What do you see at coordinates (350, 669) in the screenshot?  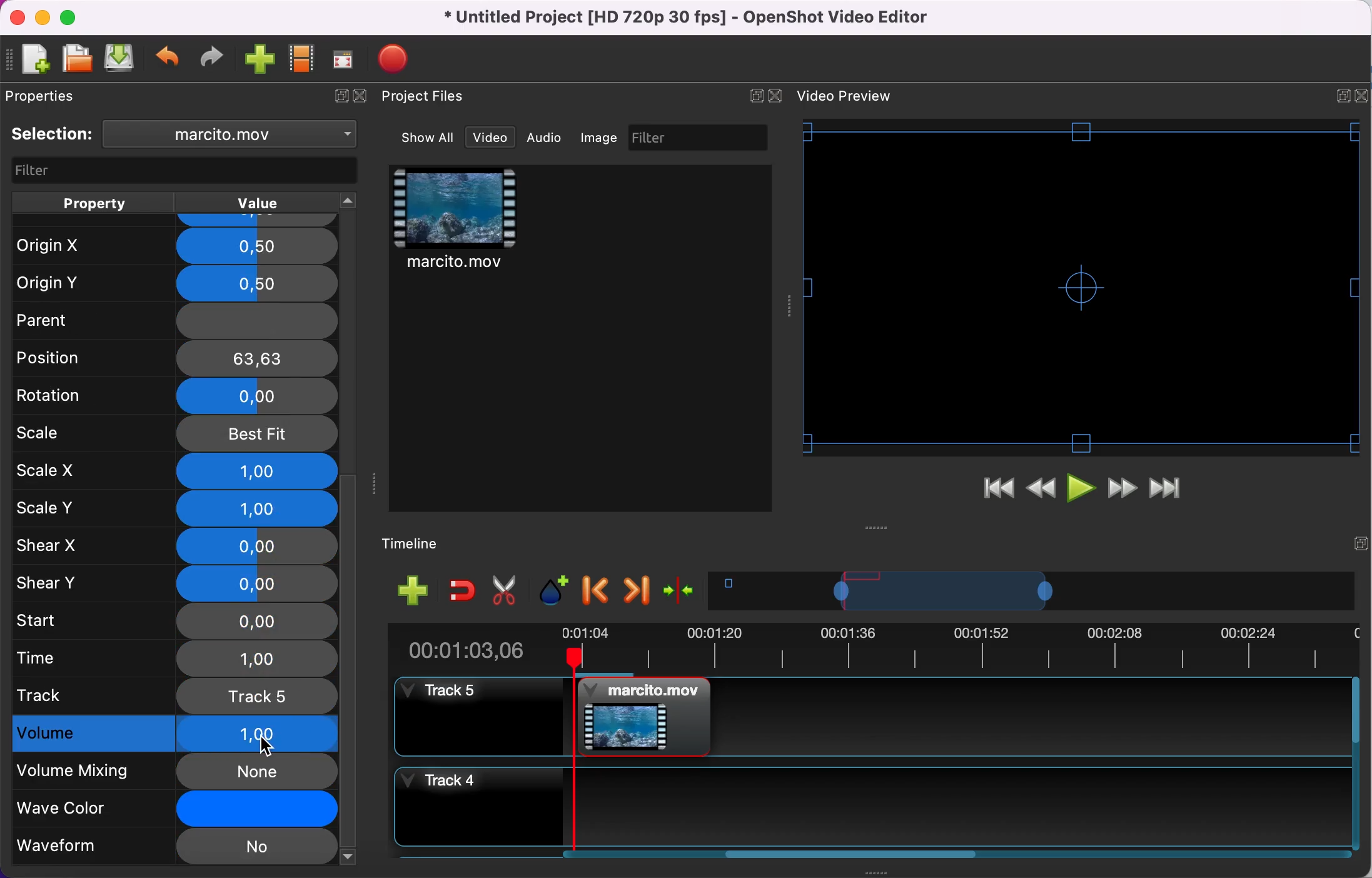 I see `vertical scroll bar` at bounding box center [350, 669].